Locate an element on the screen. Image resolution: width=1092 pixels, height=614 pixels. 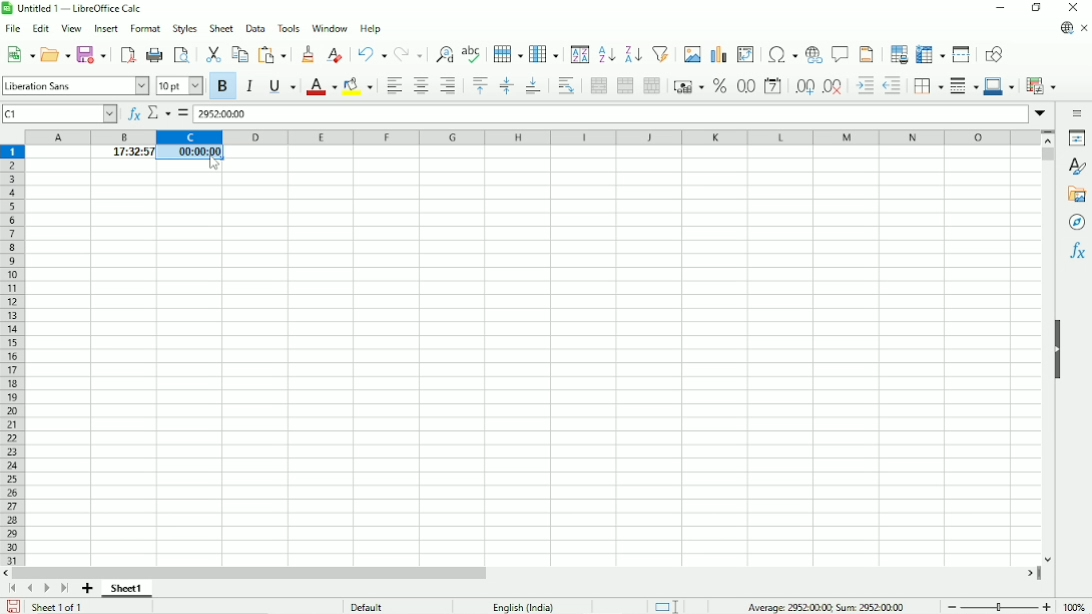
Decrease indent is located at coordinates (891, 85).